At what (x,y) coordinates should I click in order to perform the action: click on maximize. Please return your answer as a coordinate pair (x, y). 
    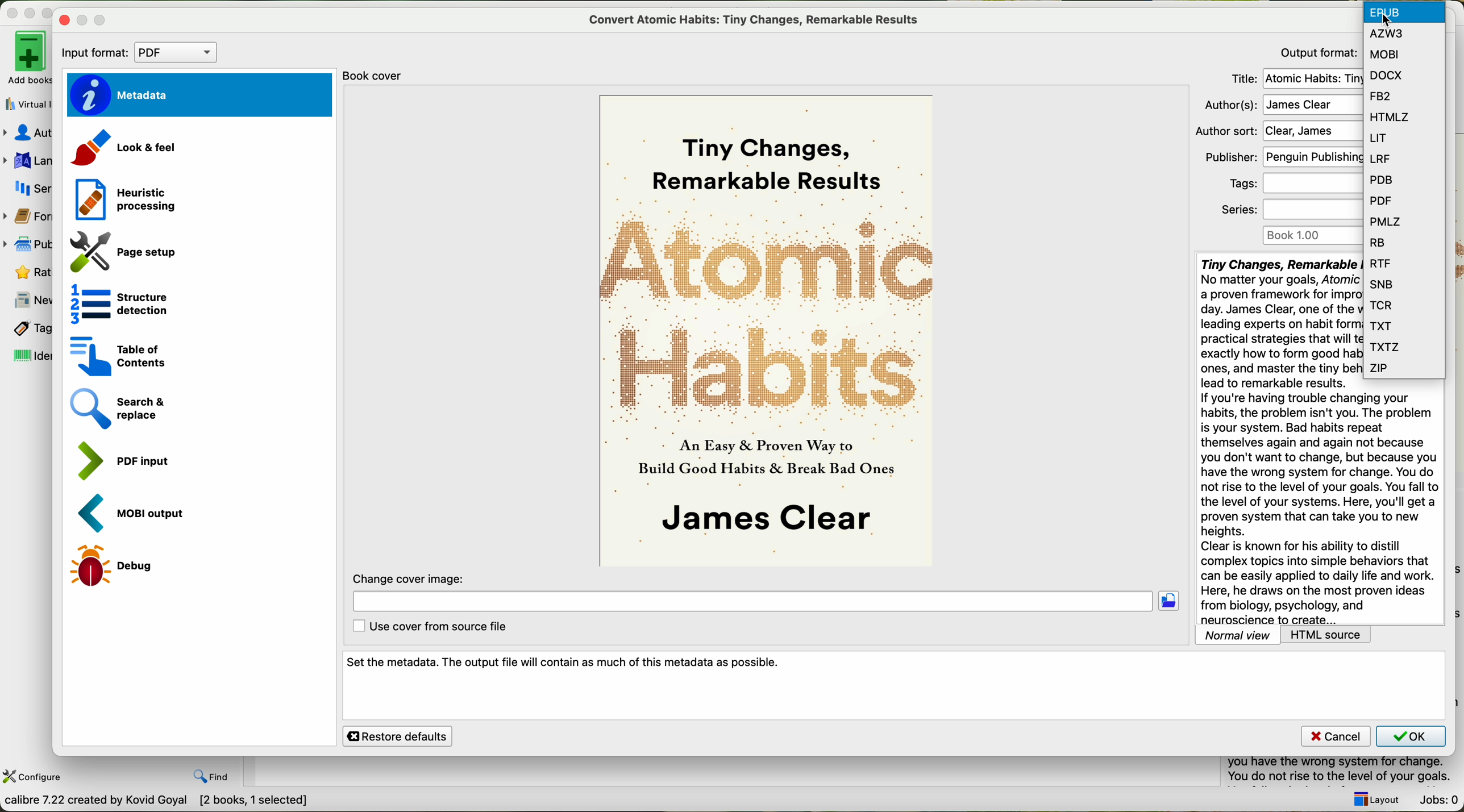
    Looking at the image, I should click on (50, 10).